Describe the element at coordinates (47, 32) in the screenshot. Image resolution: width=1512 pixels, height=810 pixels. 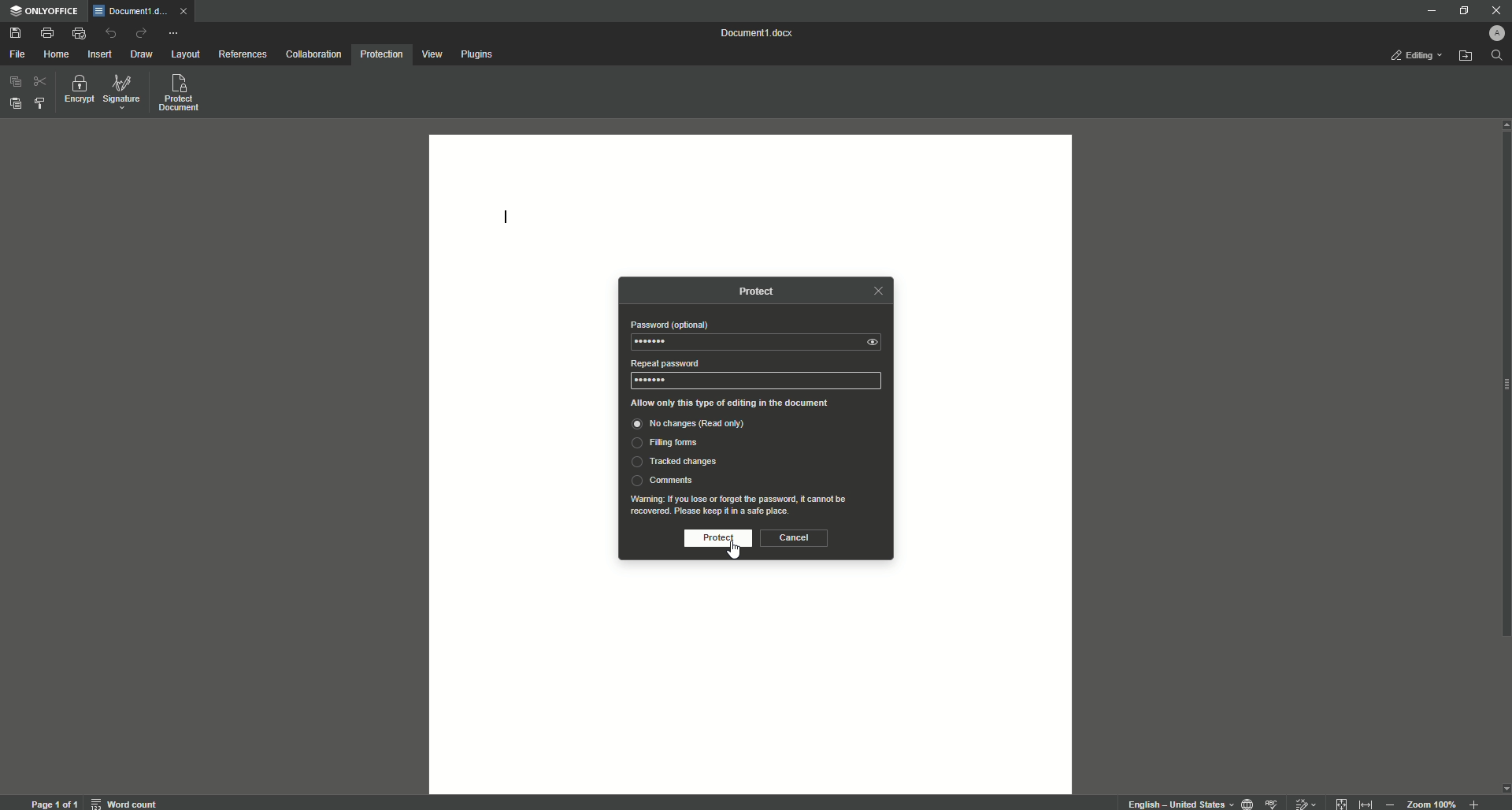
I see `Print` at that location.